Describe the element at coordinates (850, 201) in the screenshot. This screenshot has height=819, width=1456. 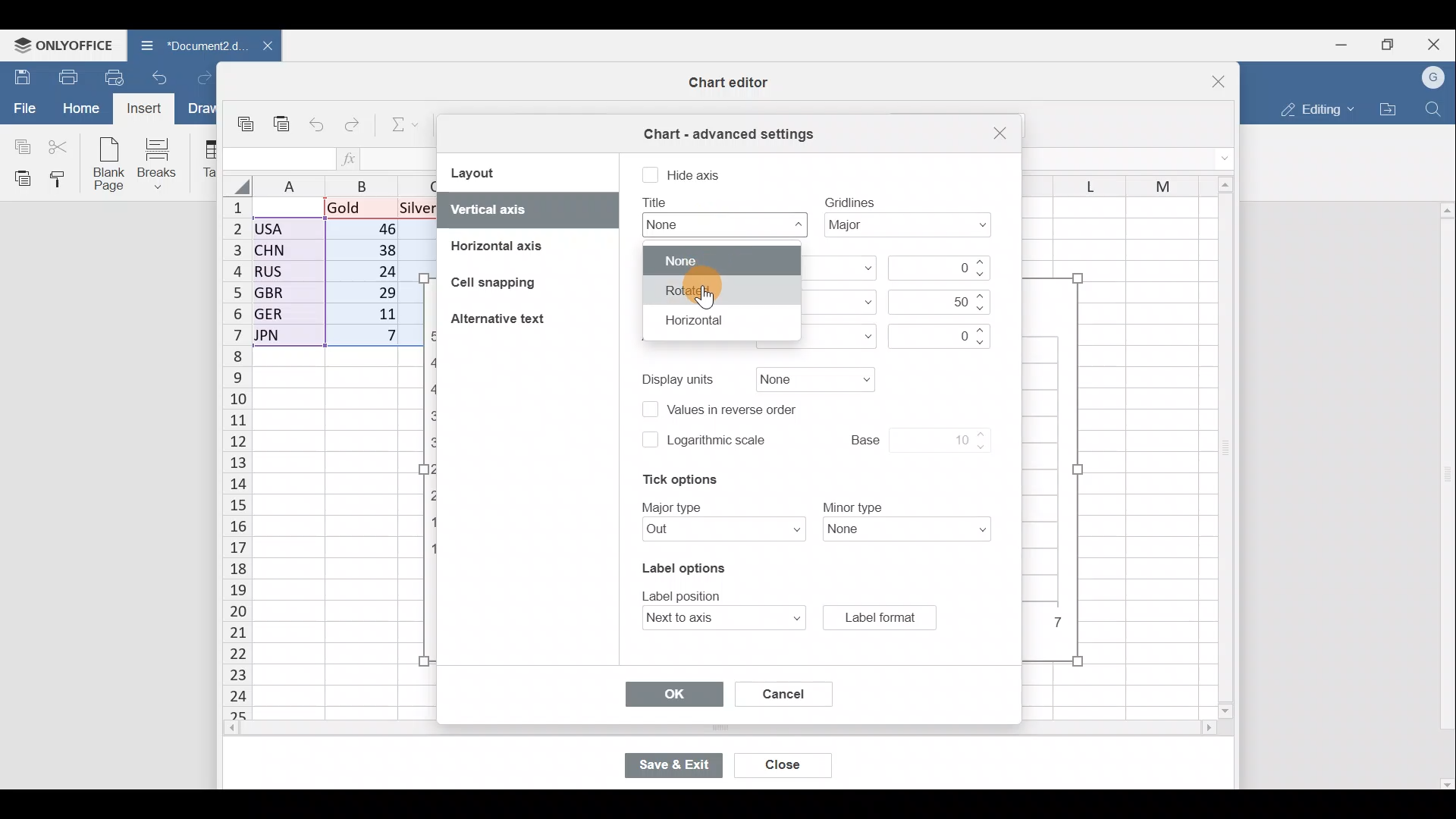
I see `text` at that location.